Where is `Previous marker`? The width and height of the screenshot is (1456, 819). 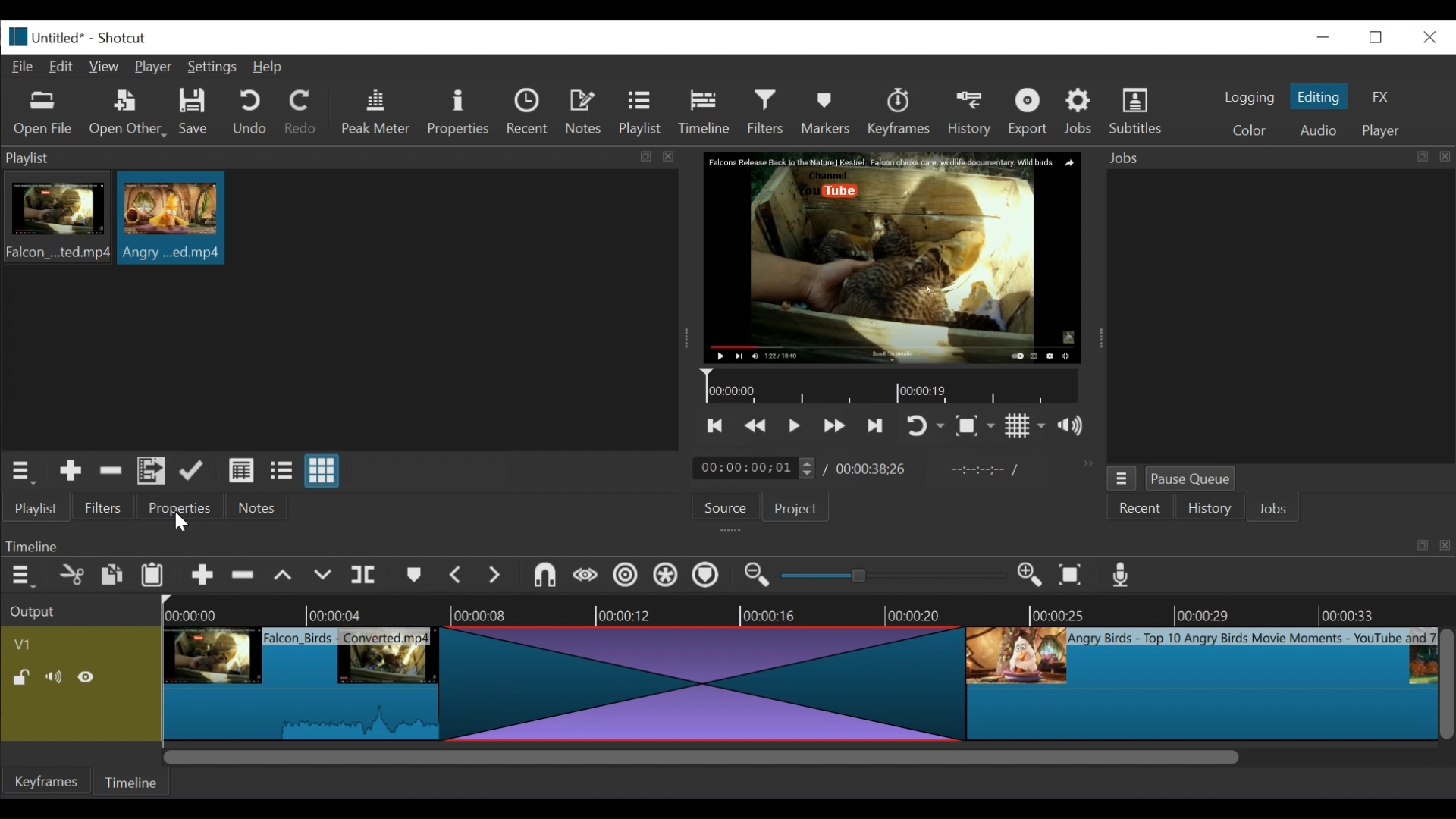 Previous marker is located at coordinates (457, 578).